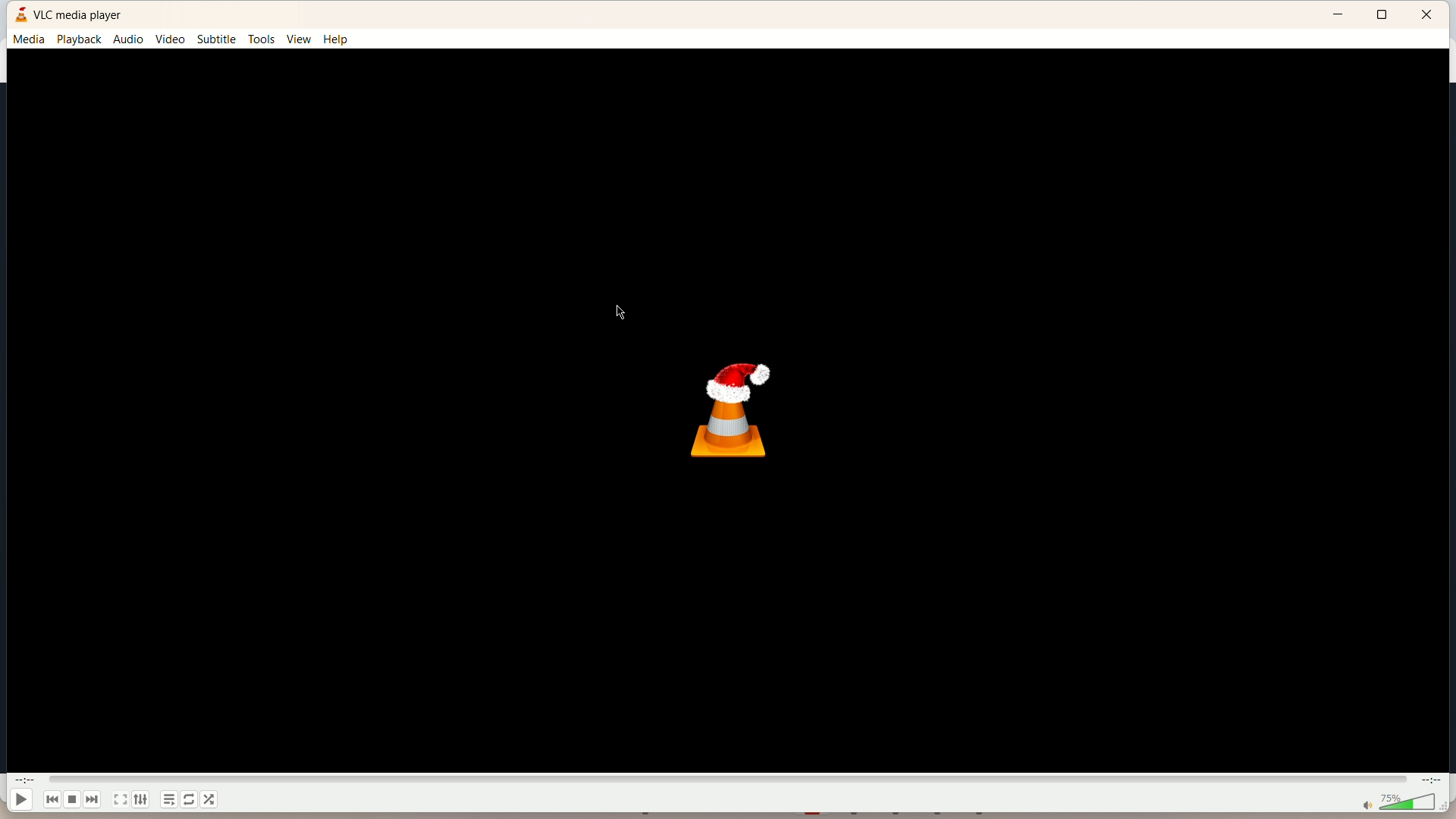 The image size is (1456, 819). What do you see at coordinates (22, 13) in the screenshot?
I see `logo` at bounding box center [22, 13].